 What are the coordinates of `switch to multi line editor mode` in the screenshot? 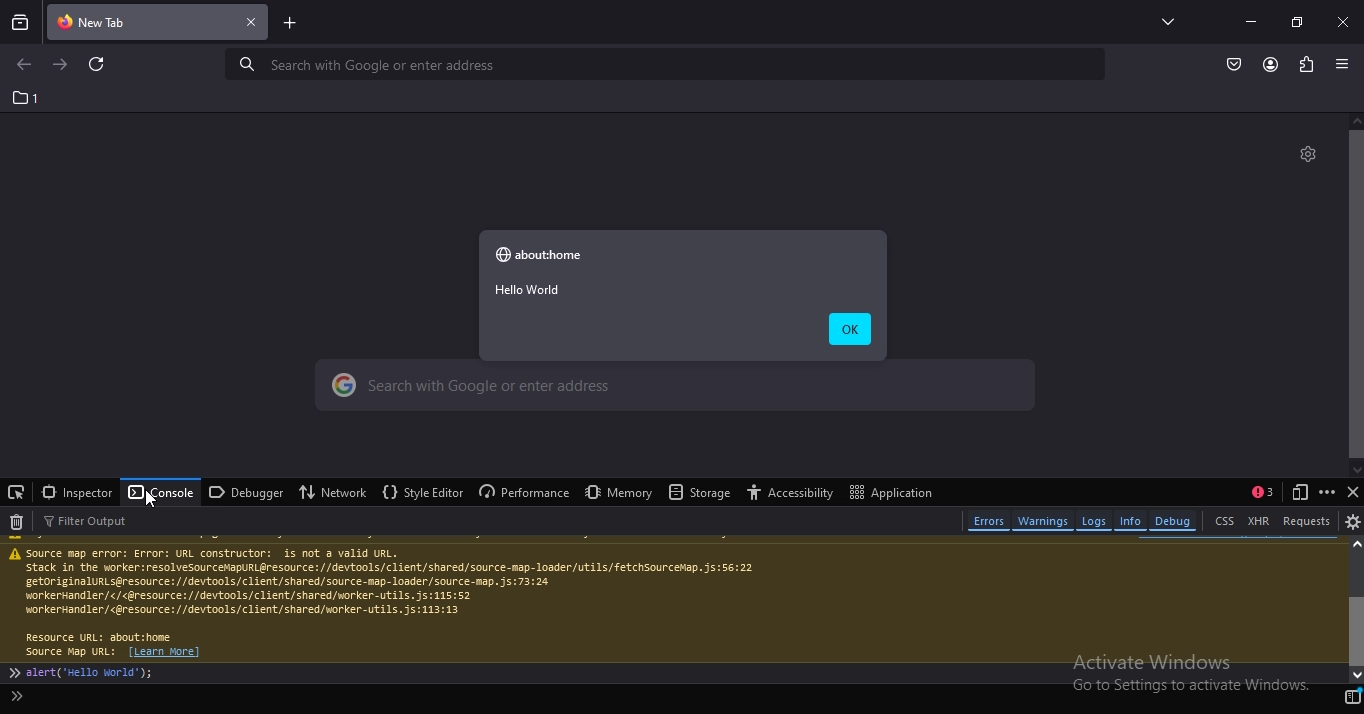 It's located at (1352, 697).